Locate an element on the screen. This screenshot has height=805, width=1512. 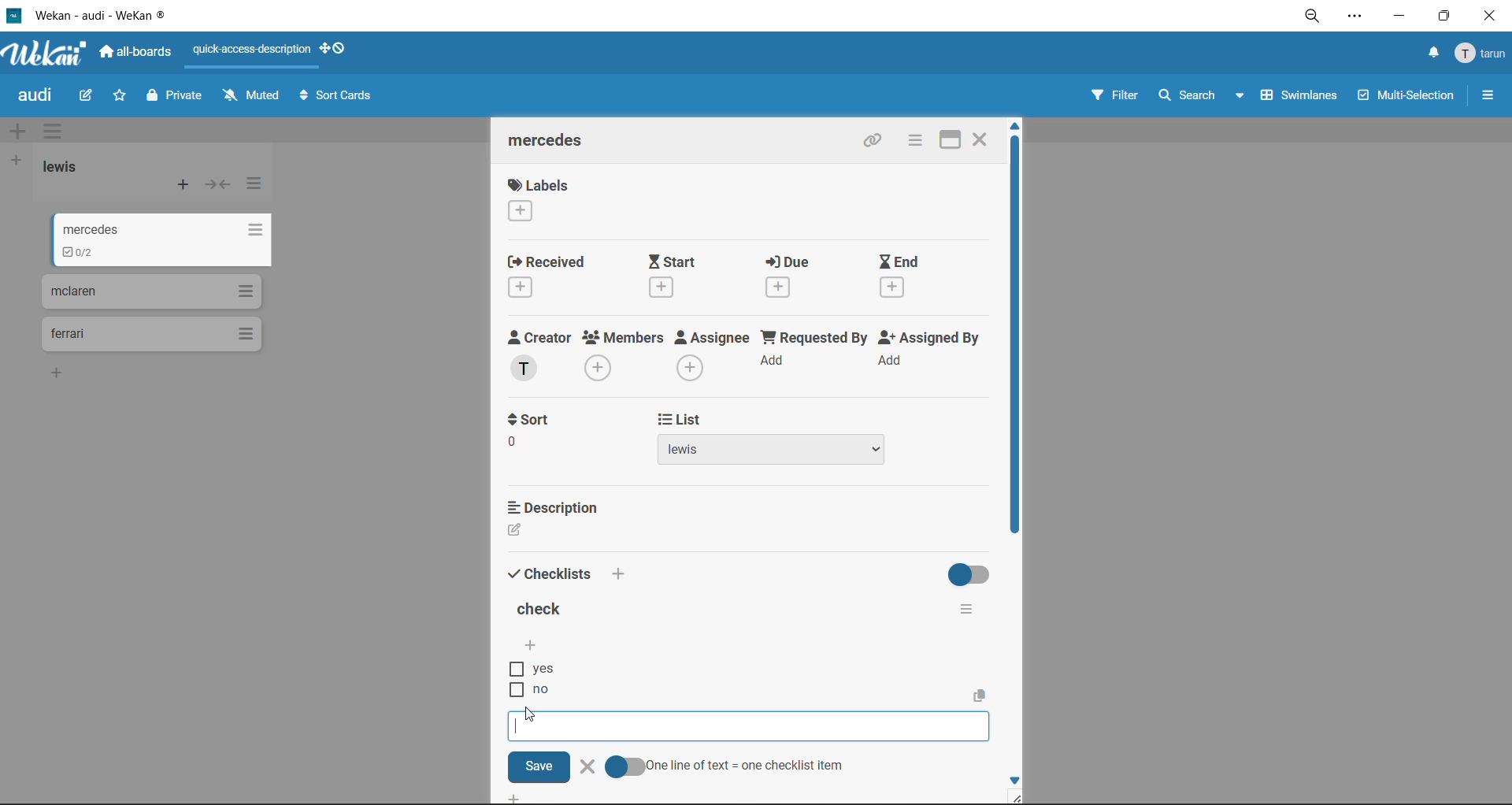
checklists is located at coordinates (551, 577).